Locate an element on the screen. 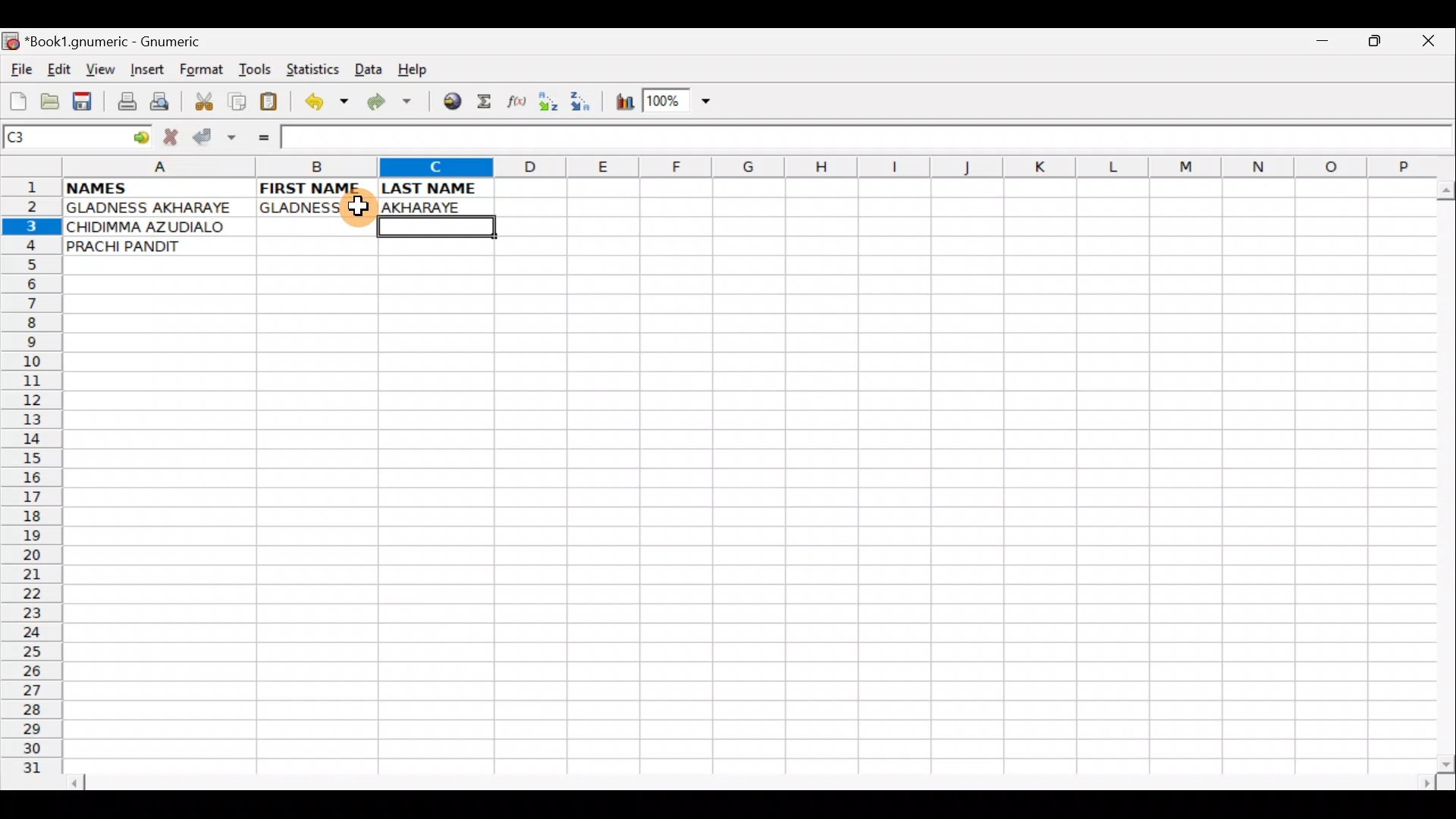  Edit is located at coordinates (58, 69).